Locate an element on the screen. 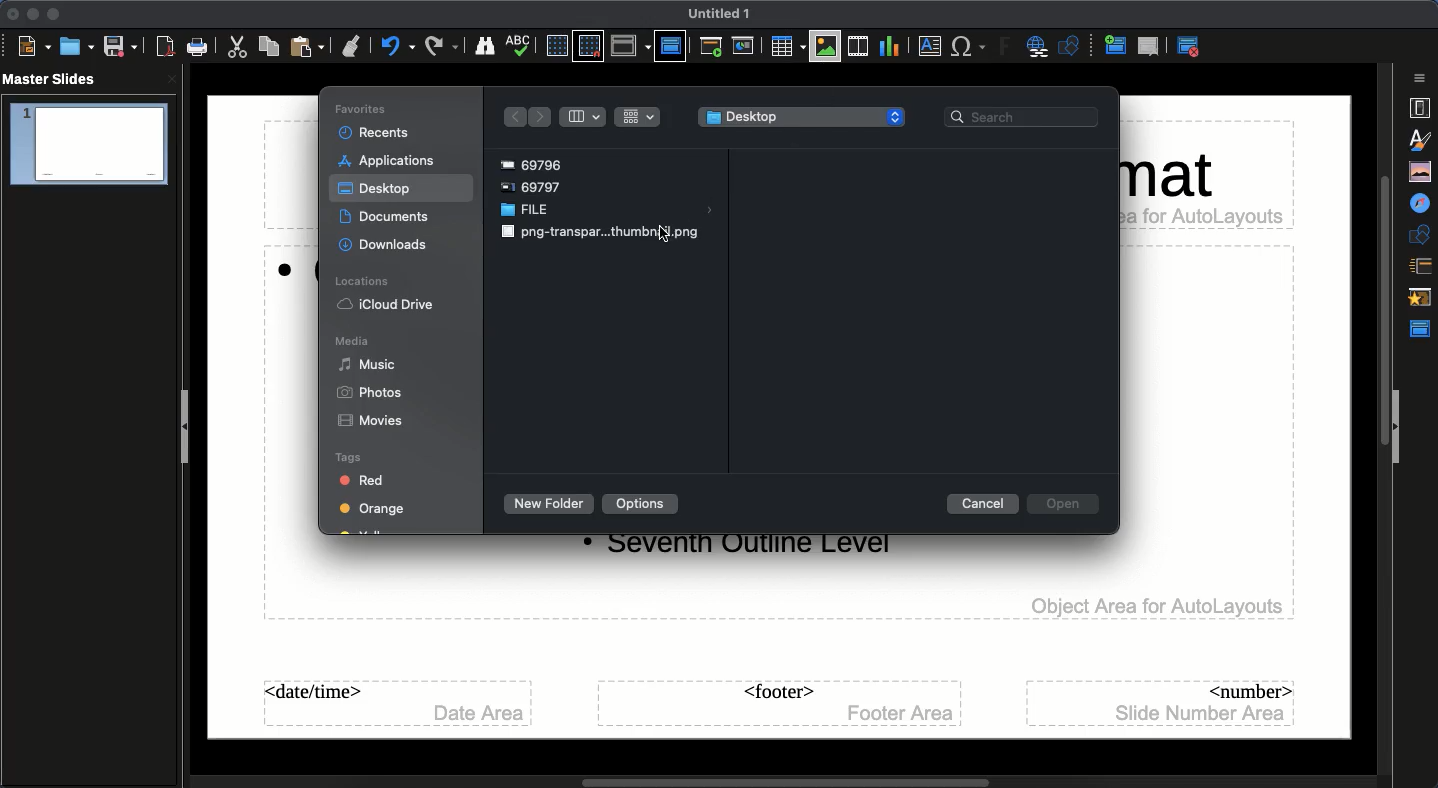 Image resolution: width=1438 pixels, height=788 pixels. Favorites  is located at coordinates (365, 109).